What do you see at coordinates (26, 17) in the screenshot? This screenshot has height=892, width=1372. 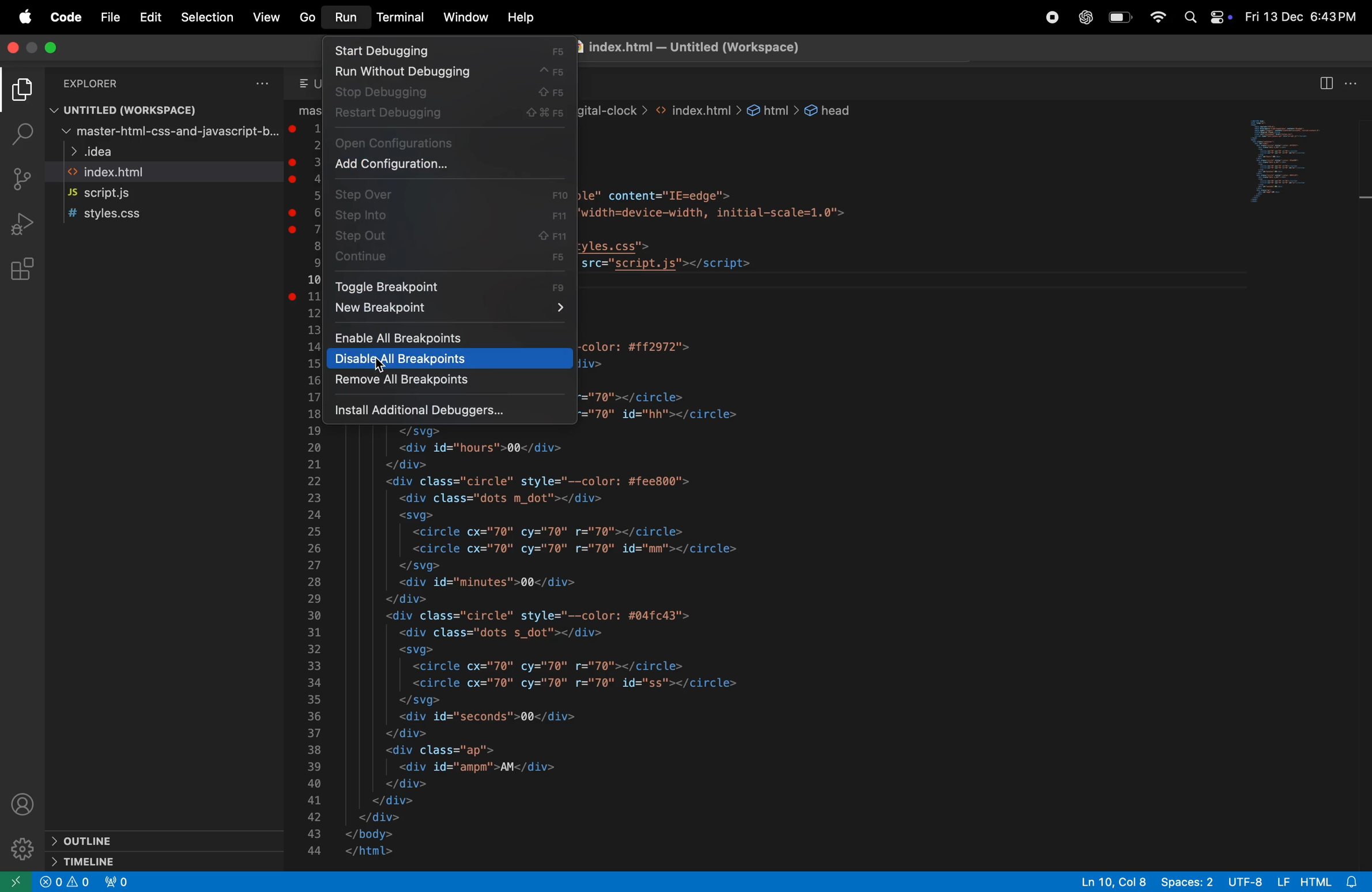 I see `apple menu` at bounding box center [26, 17].